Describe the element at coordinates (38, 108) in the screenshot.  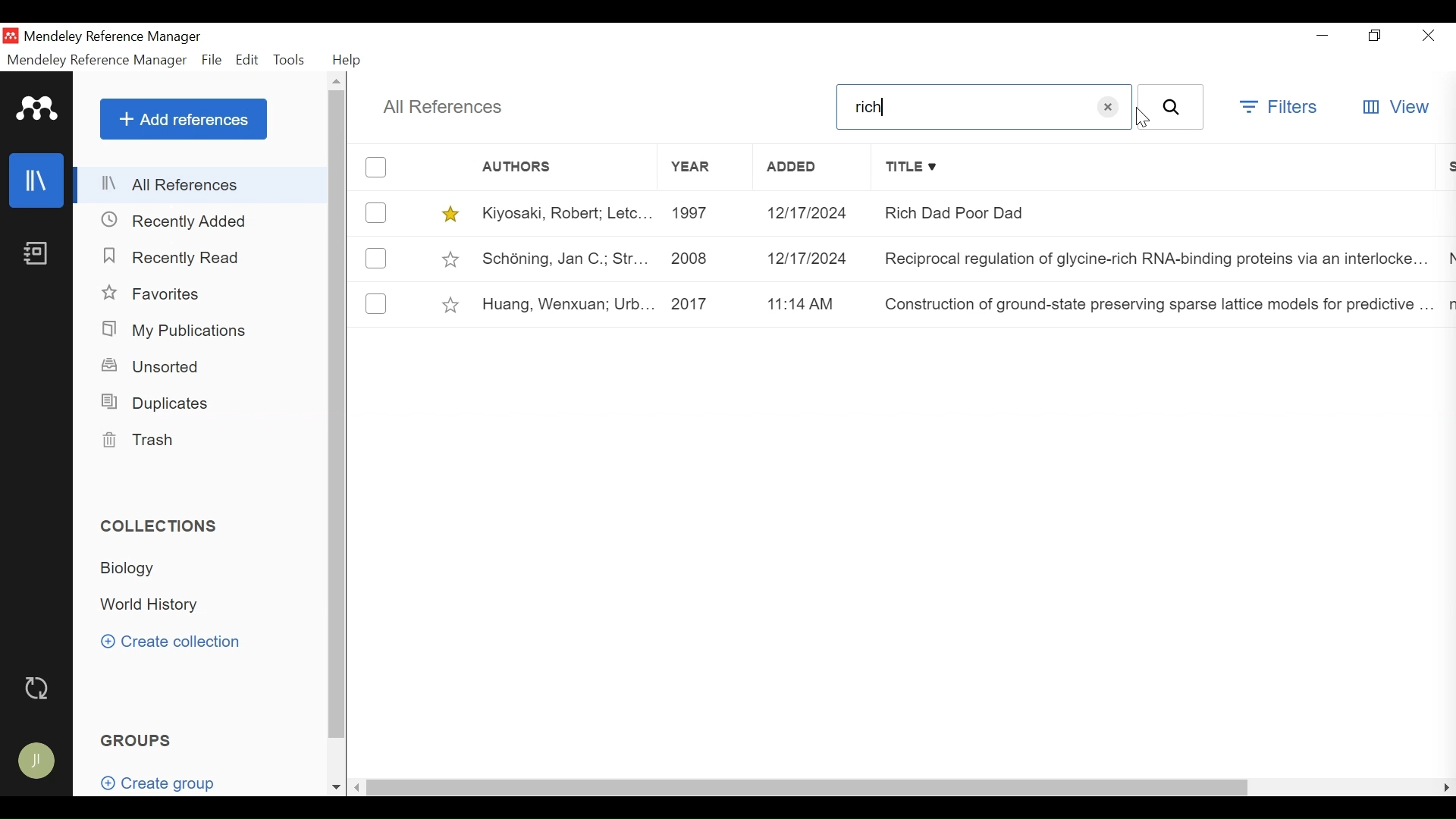
I see `Mendeley Logo` at that location.